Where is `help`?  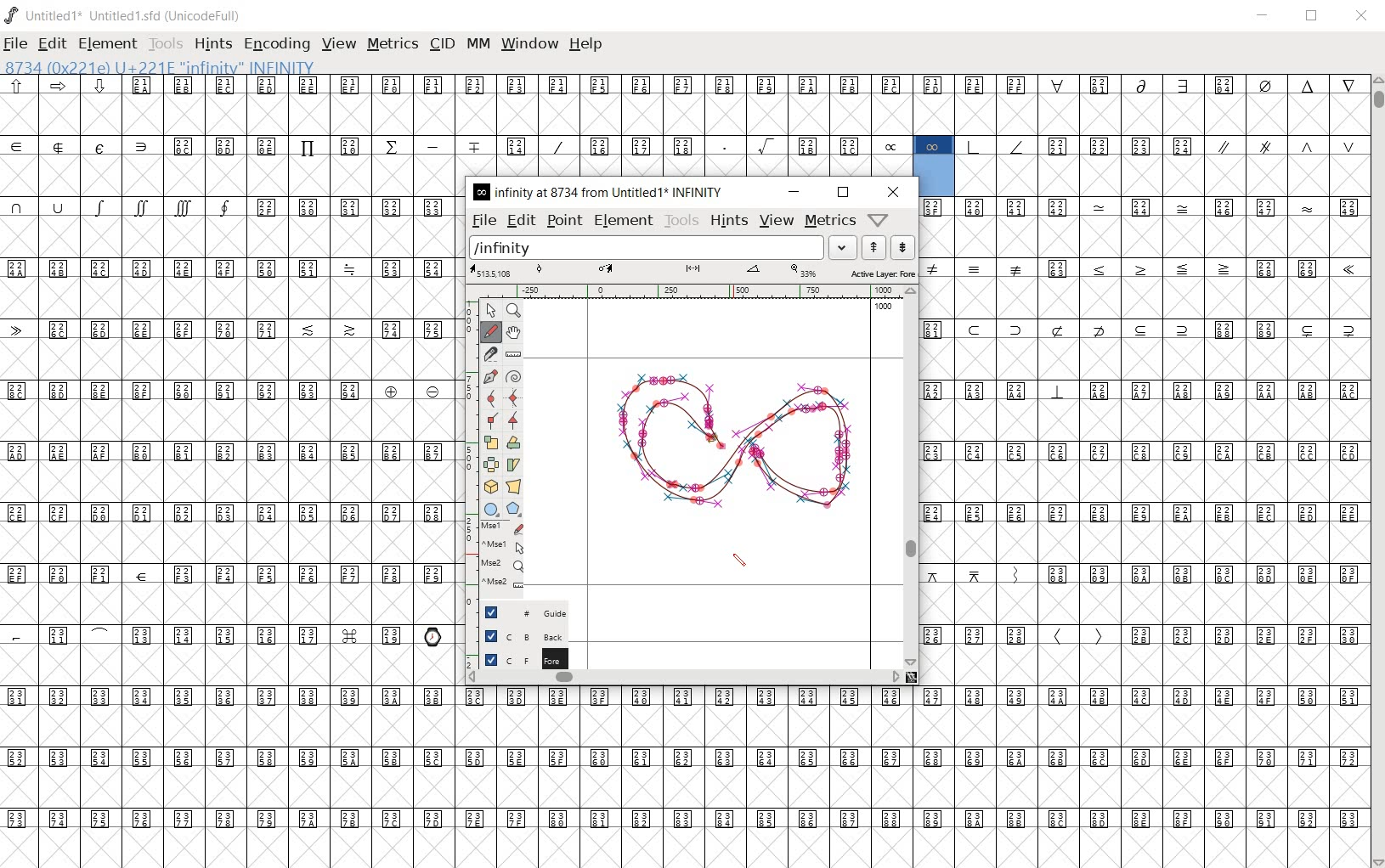 help is located at coordinates (586, 43).